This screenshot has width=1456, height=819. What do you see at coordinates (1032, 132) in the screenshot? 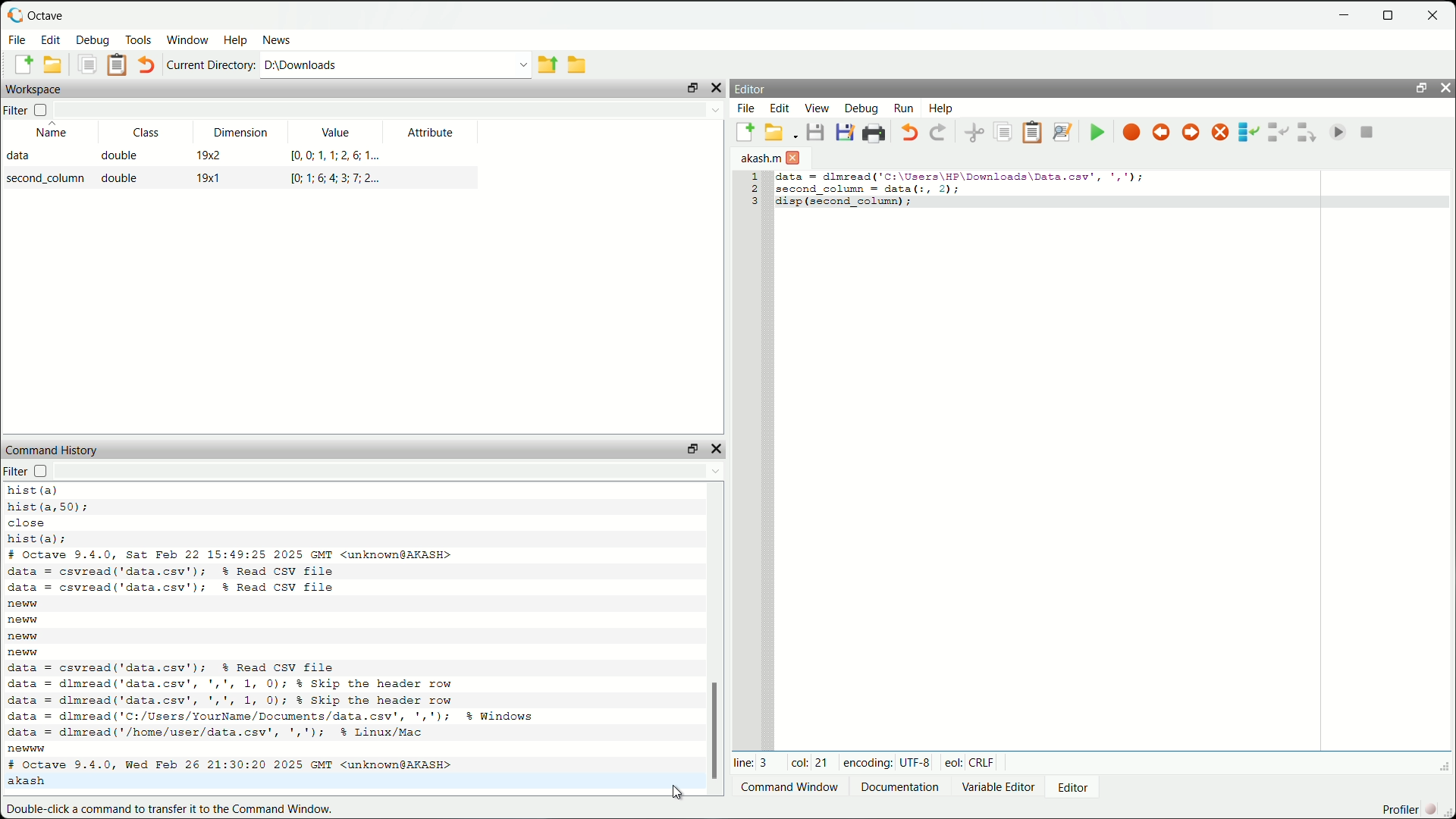
I see `paste` at bounding box center [1032, 132].